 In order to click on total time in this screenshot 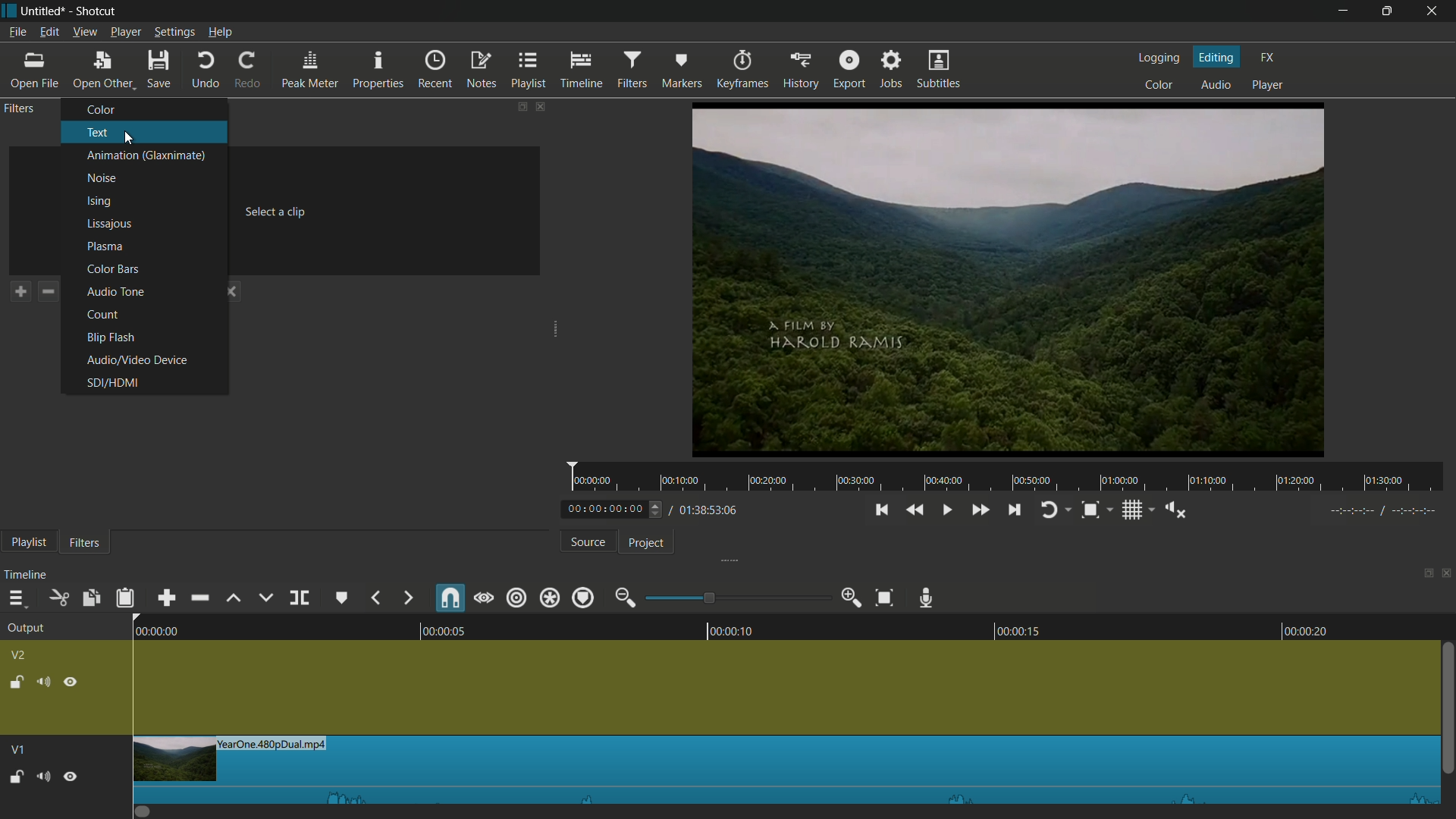, I will do `click(707, 510)`.